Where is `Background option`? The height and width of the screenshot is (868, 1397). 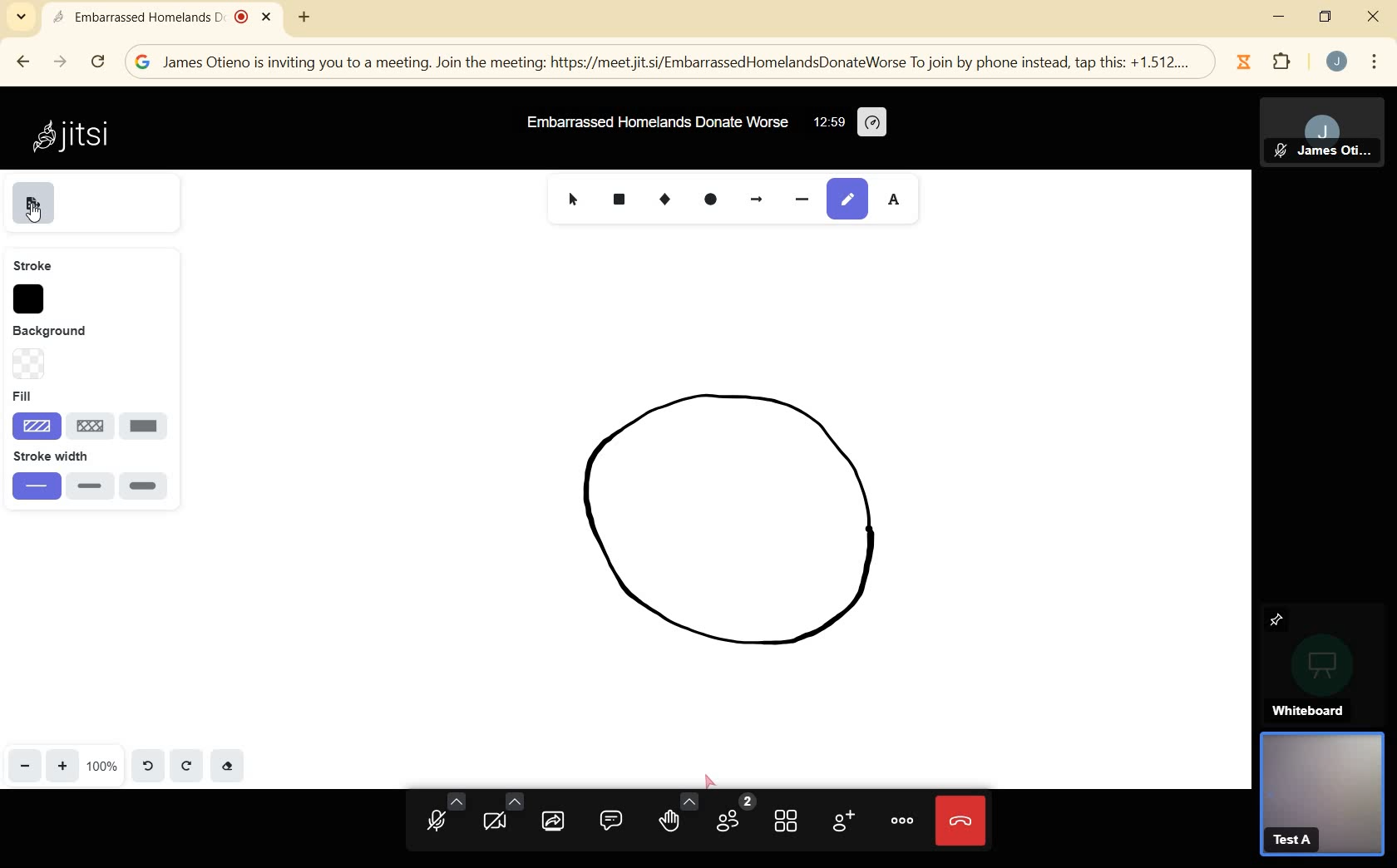
Background option is located at coordinates (30, 365).